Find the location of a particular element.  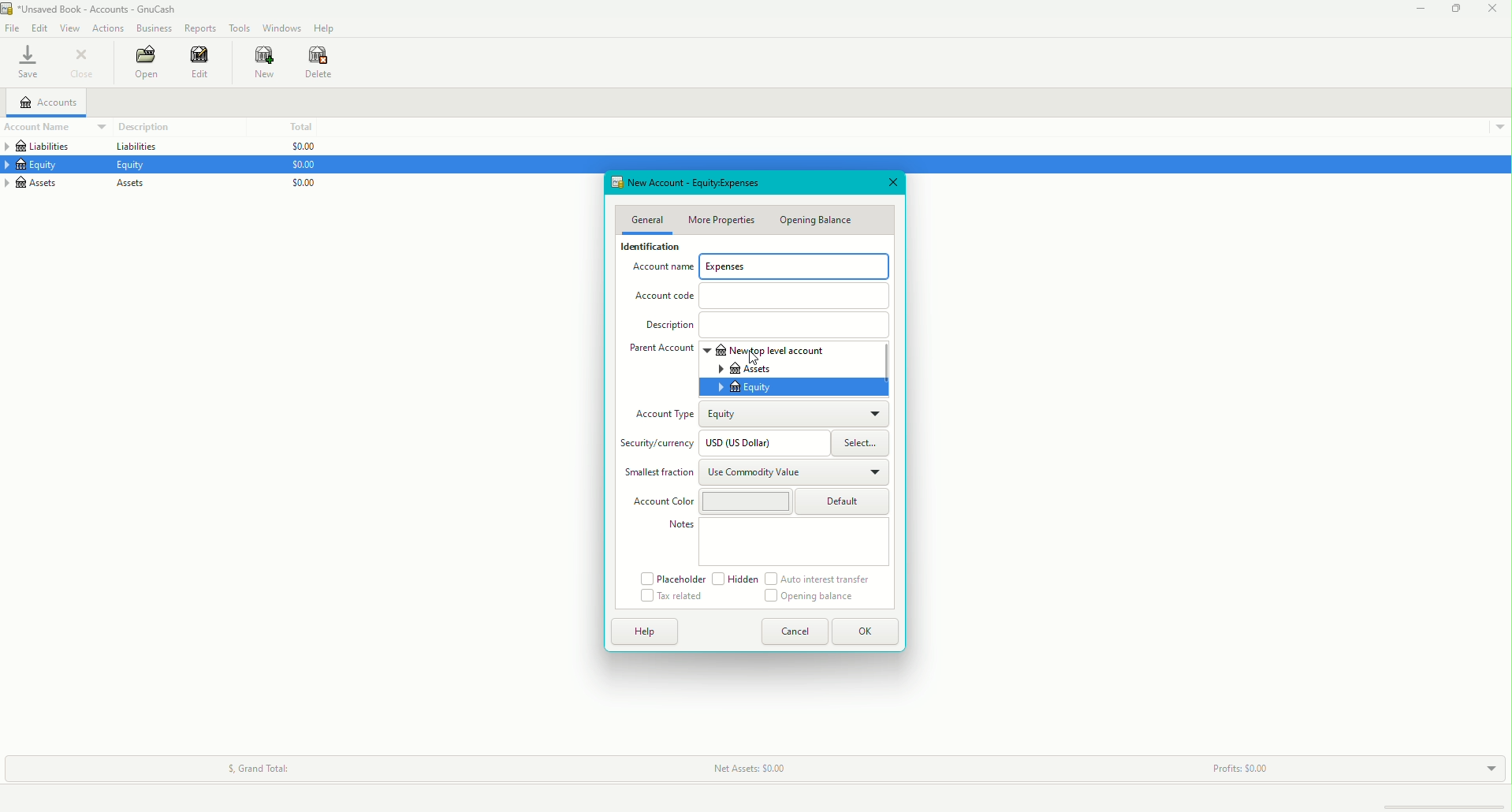

Actions is located at coordinates (110, 28).